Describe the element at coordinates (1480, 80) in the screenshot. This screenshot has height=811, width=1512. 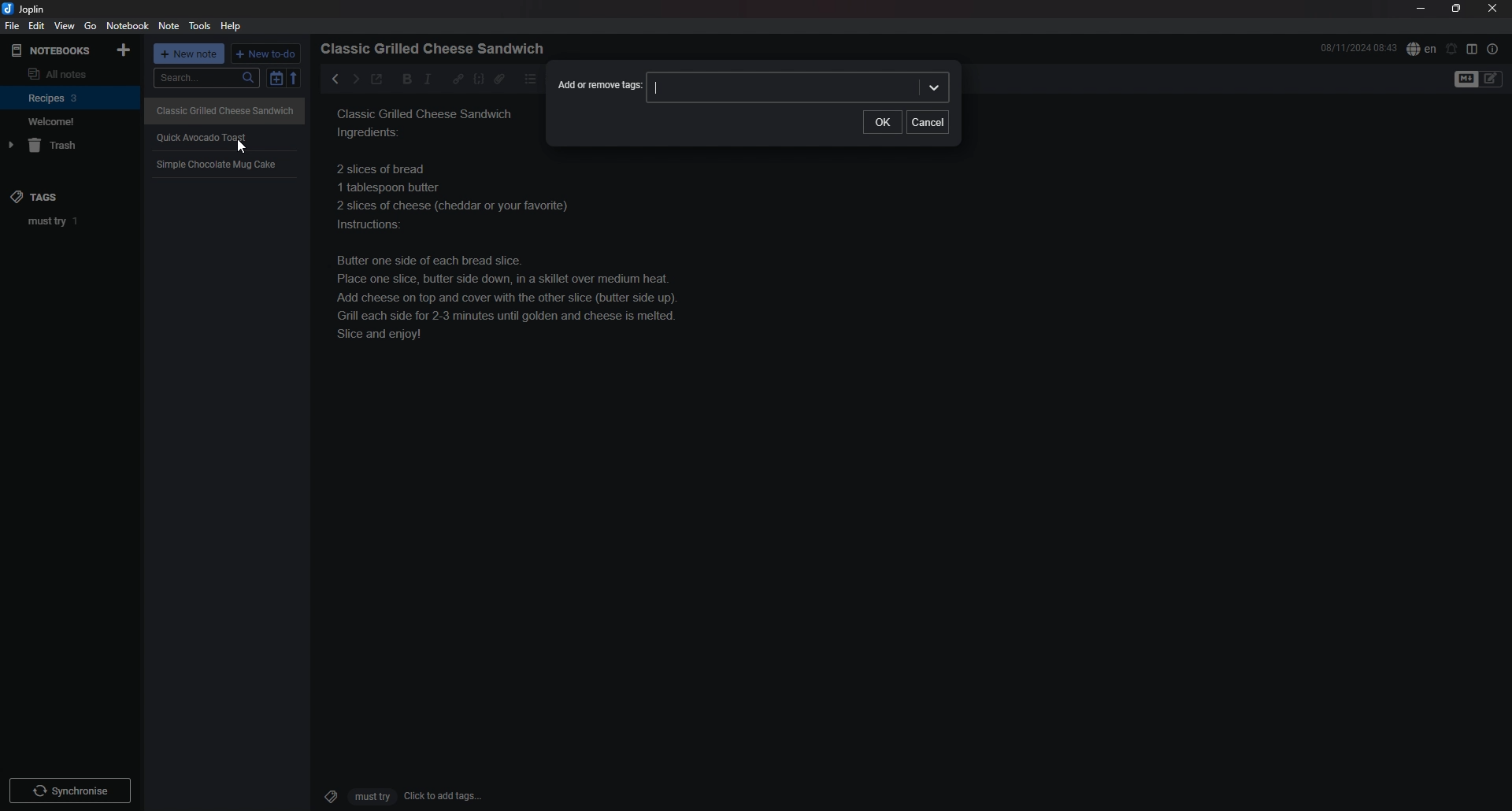
I see `toggle editor` at that location.